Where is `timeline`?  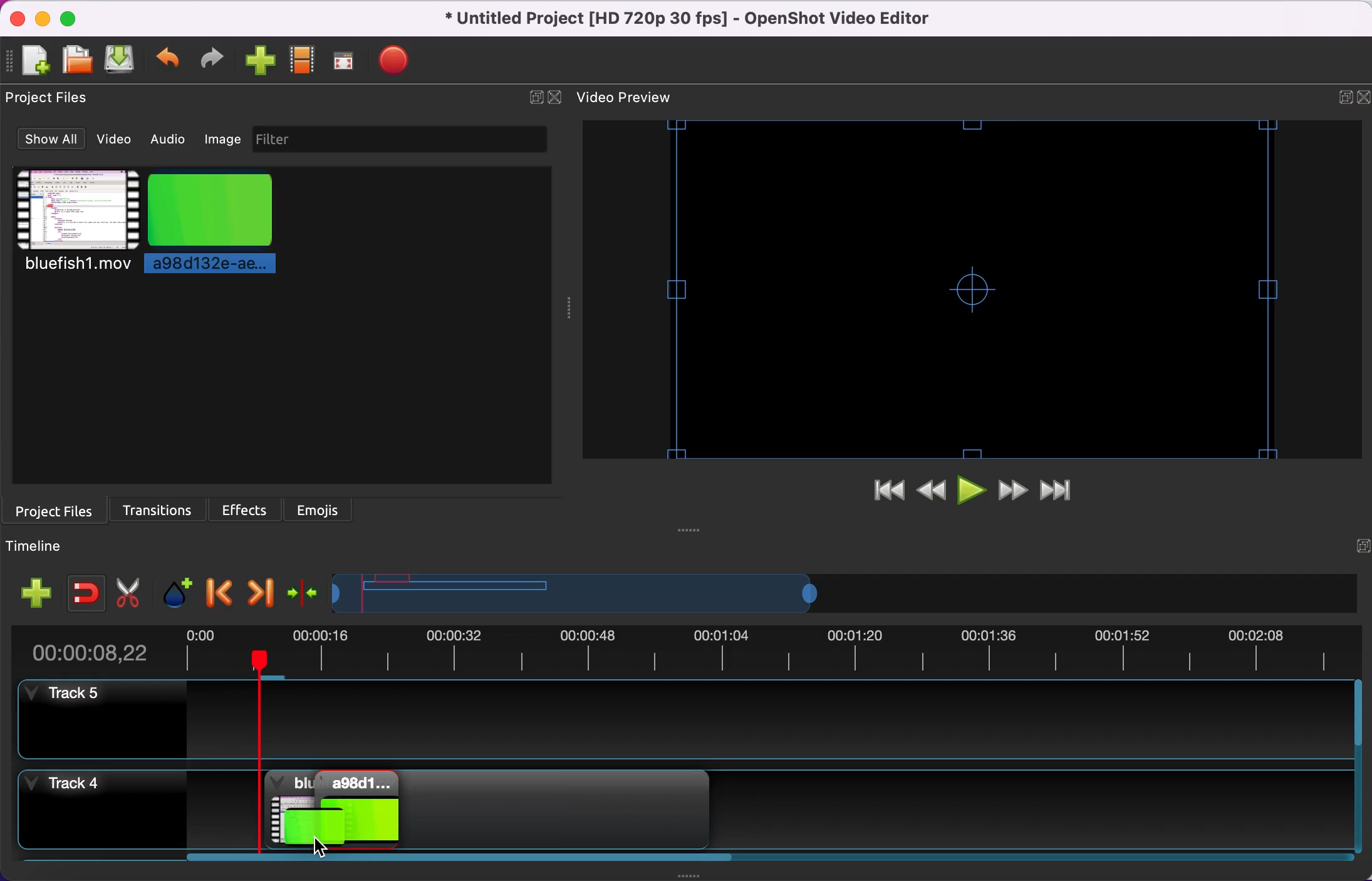 timeline is located at coordinates (721, 592).